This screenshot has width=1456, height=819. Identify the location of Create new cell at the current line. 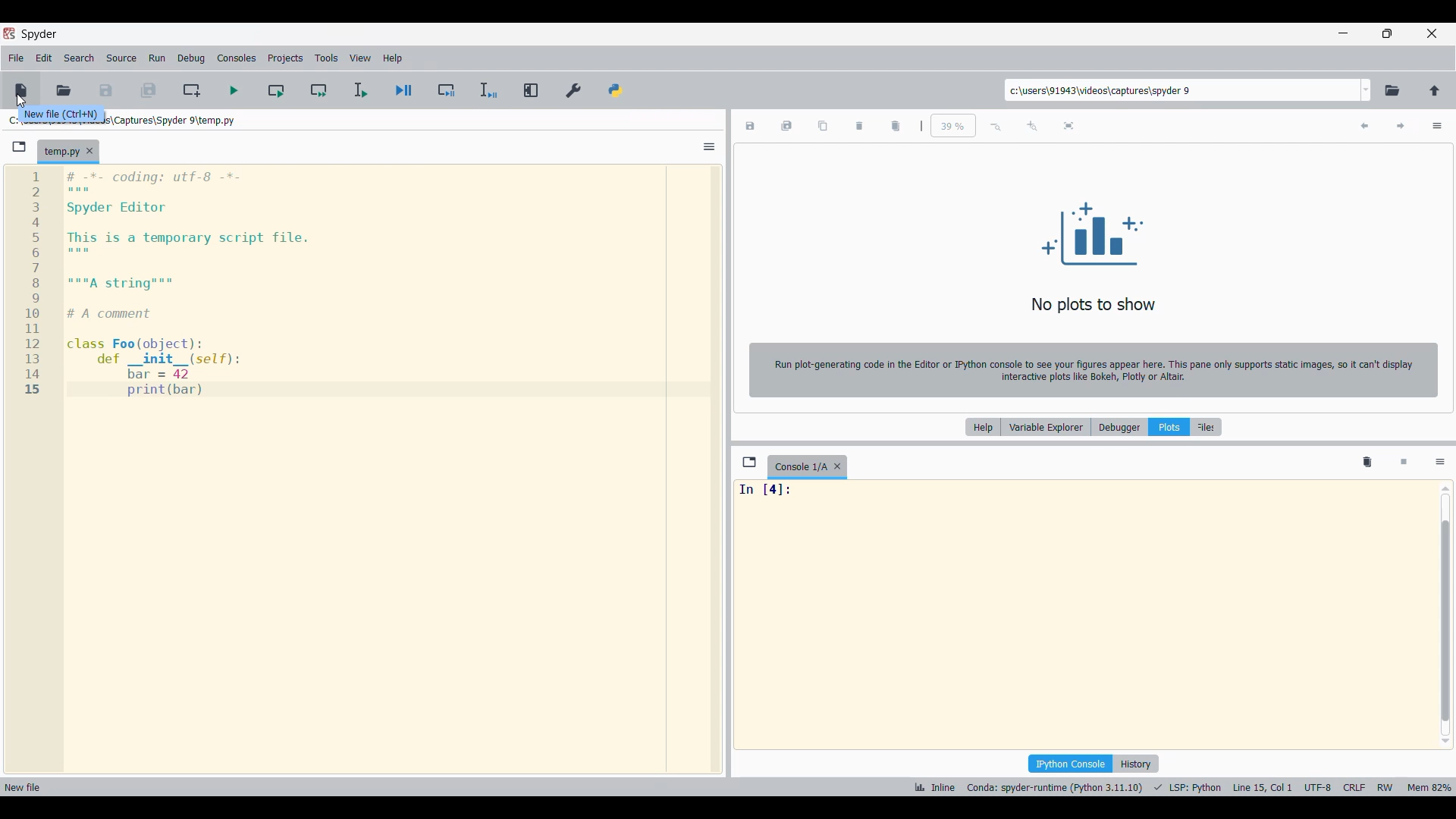
(191, 91).